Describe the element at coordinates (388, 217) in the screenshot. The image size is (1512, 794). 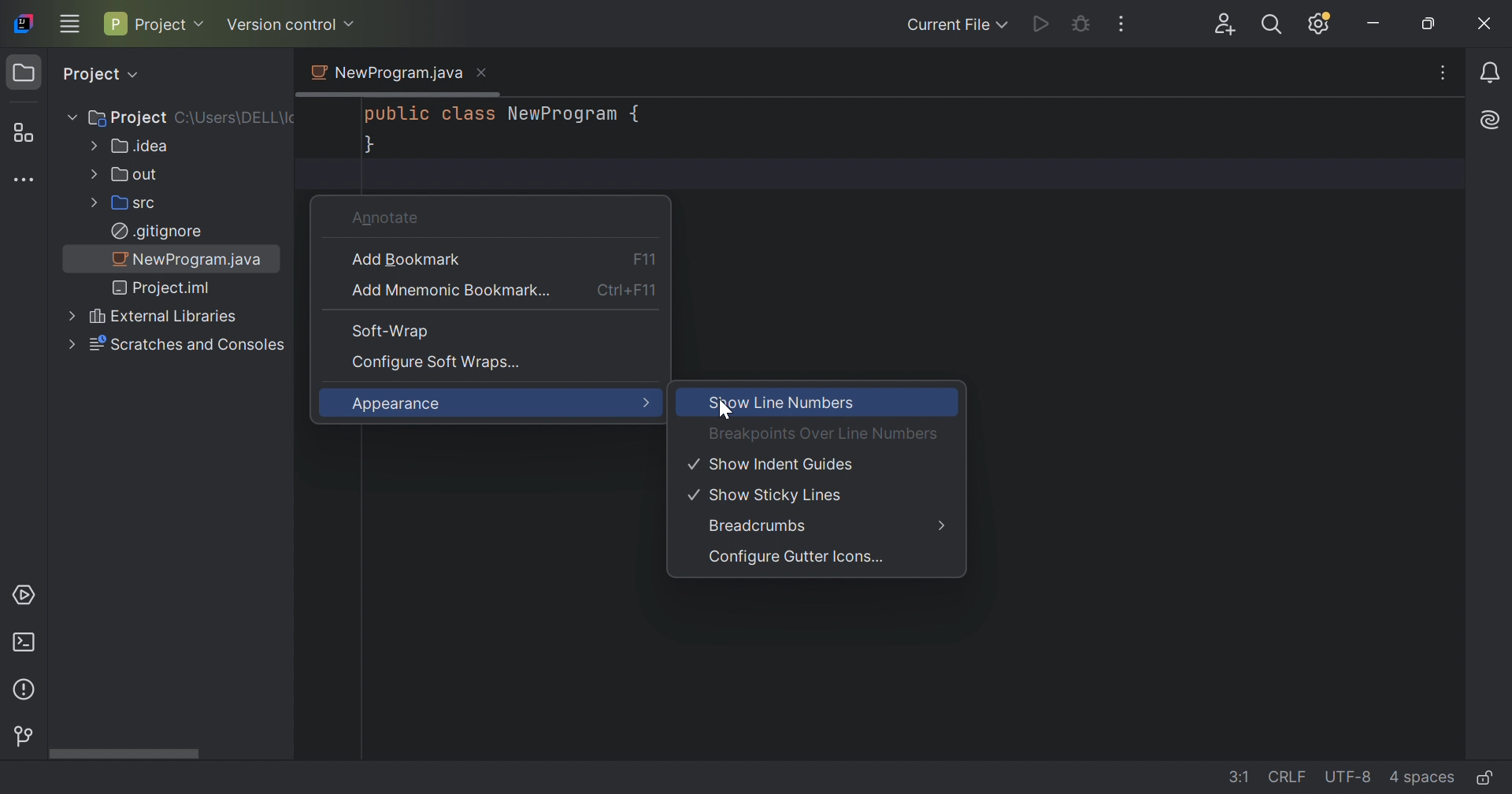
I see `Annotate` at that location.